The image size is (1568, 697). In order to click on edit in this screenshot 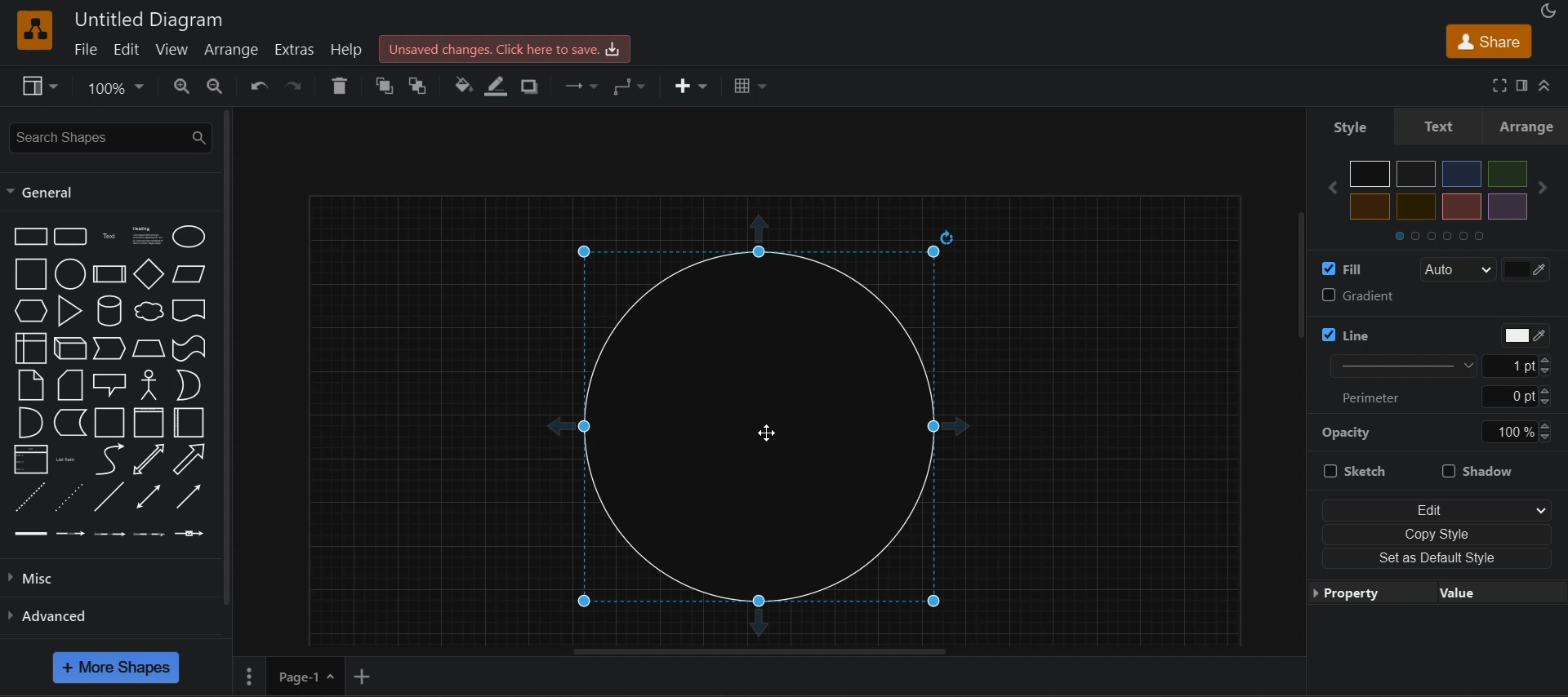, I will do `click(129, 51)`.